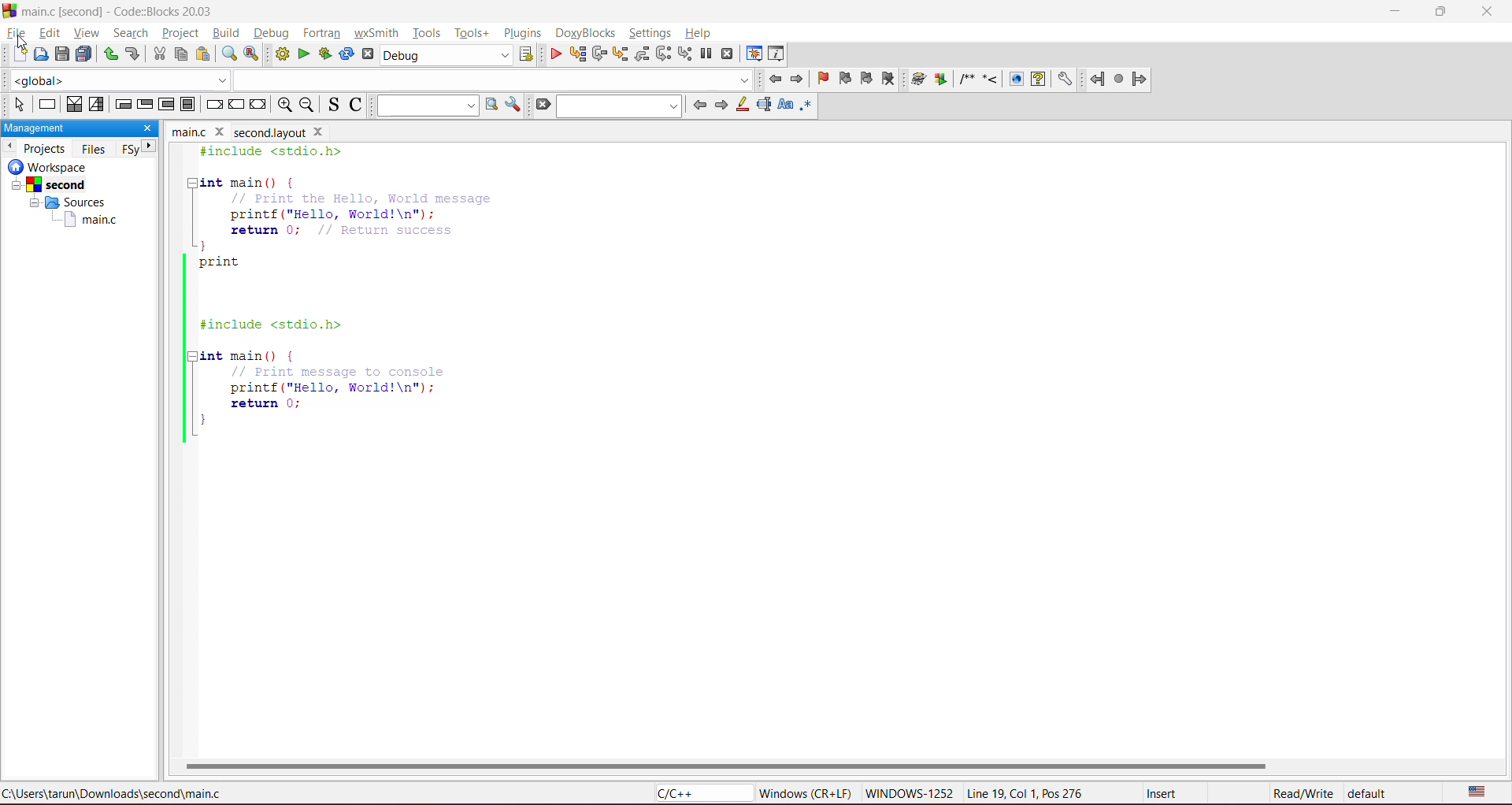 This screenshot has height=805, width=1512. What do you see at coordinates (73, 105) in the screenshot?
I see `decision` at bounding box center [73, 105].